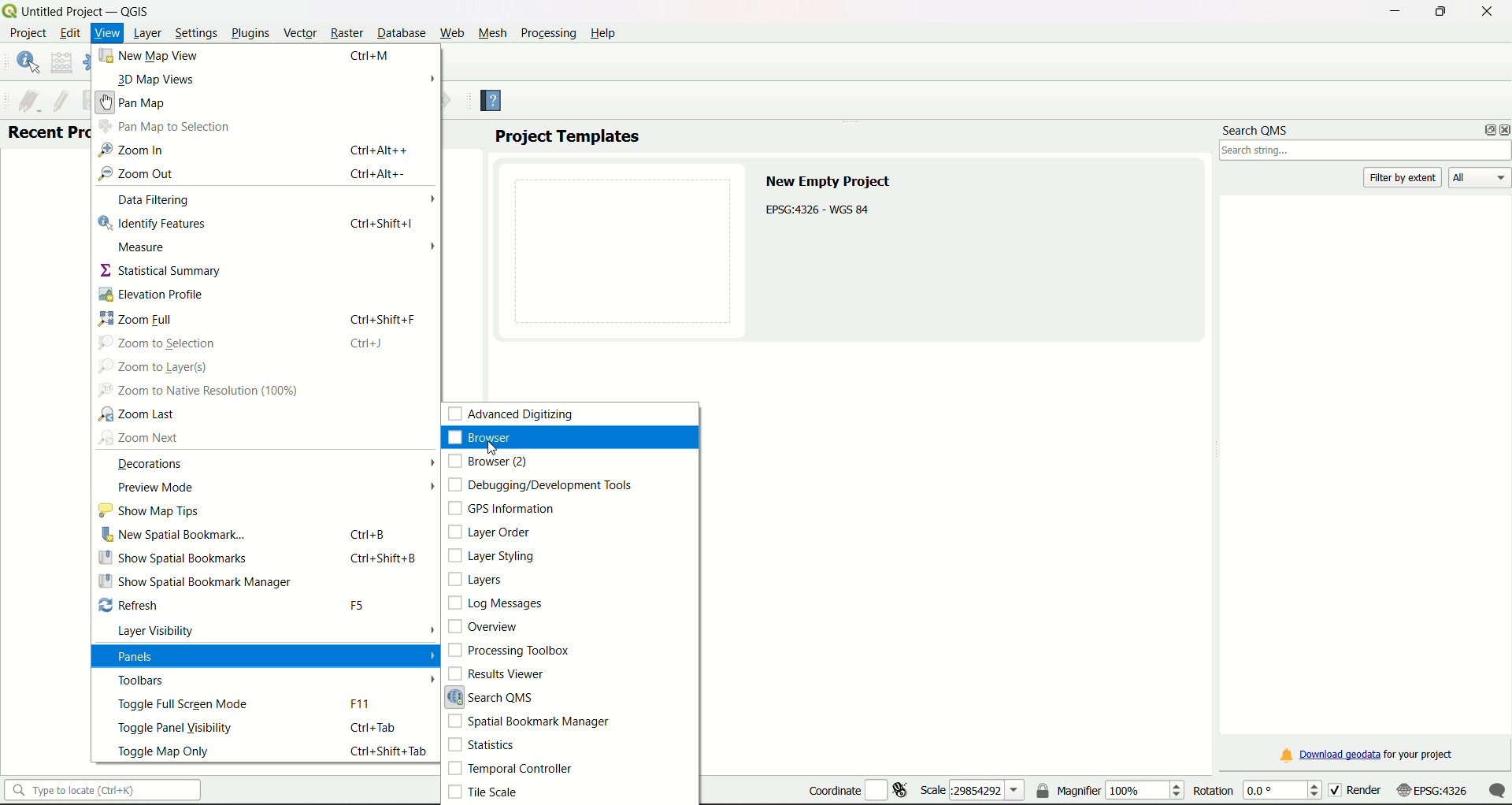 This screenshot has height=805, width=1512. I want to click on current edit, so click(29, 101).